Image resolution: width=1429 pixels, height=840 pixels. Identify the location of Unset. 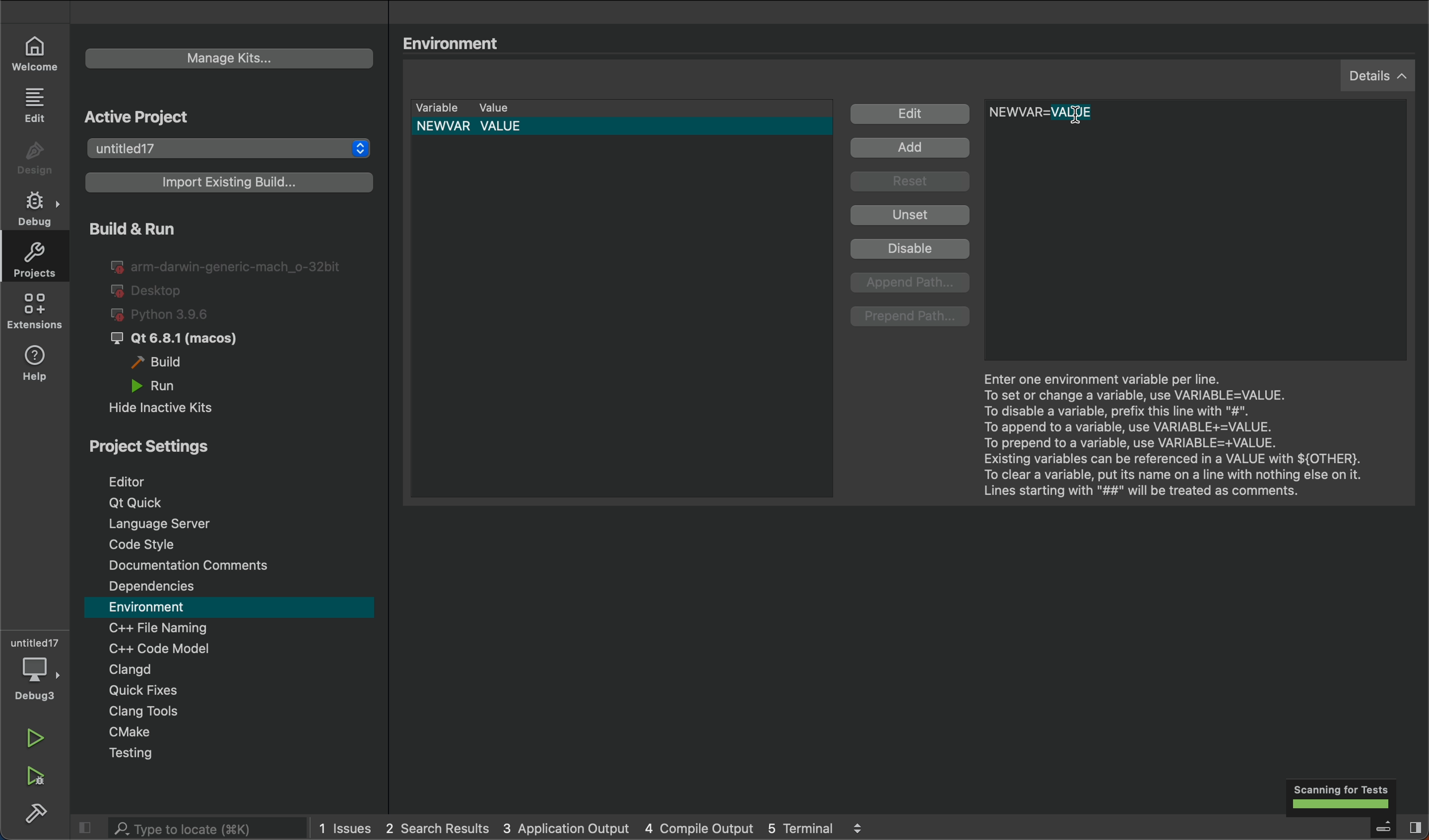
(911, 215).